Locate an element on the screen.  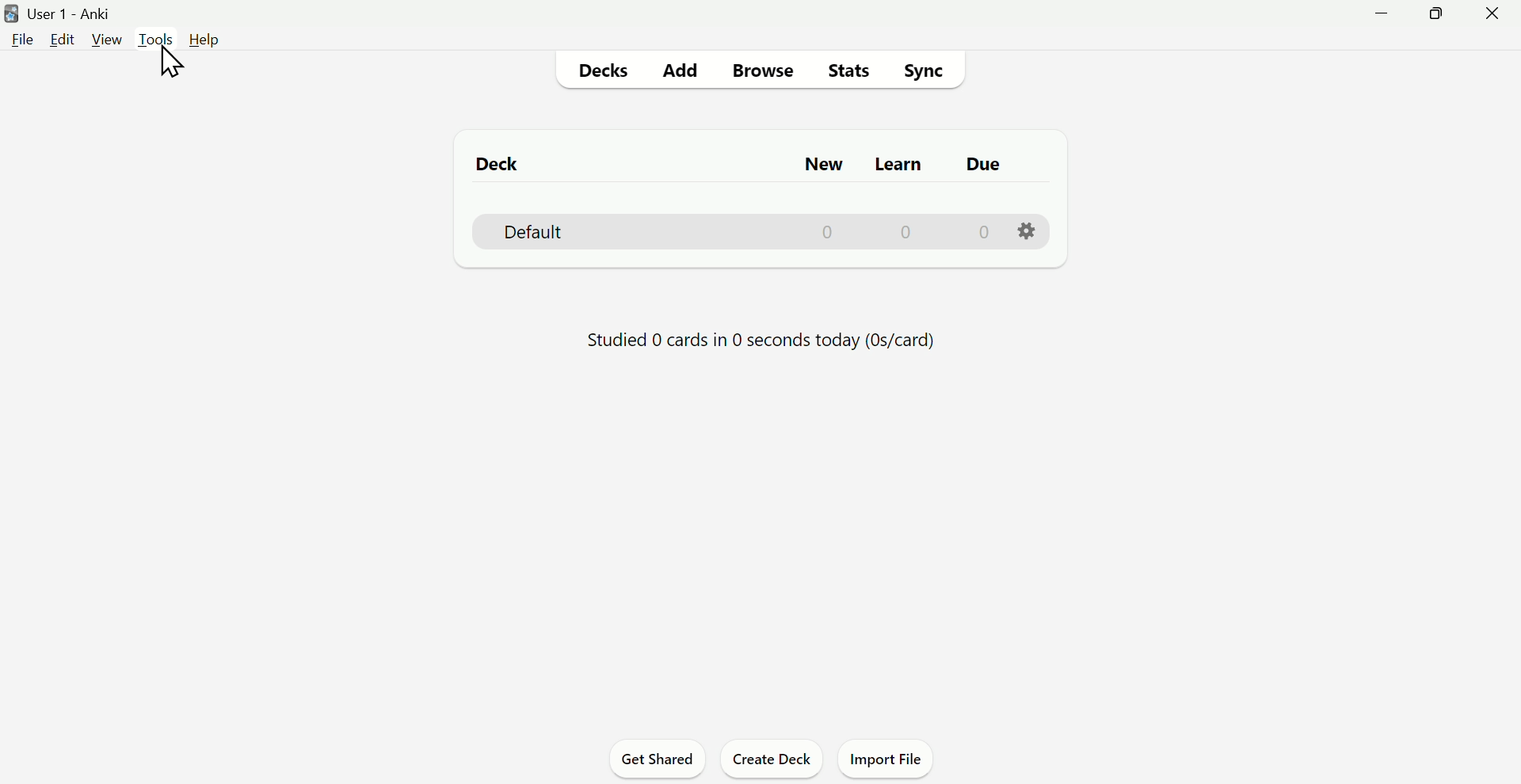
Create deck is located at coordinates (771, 758).